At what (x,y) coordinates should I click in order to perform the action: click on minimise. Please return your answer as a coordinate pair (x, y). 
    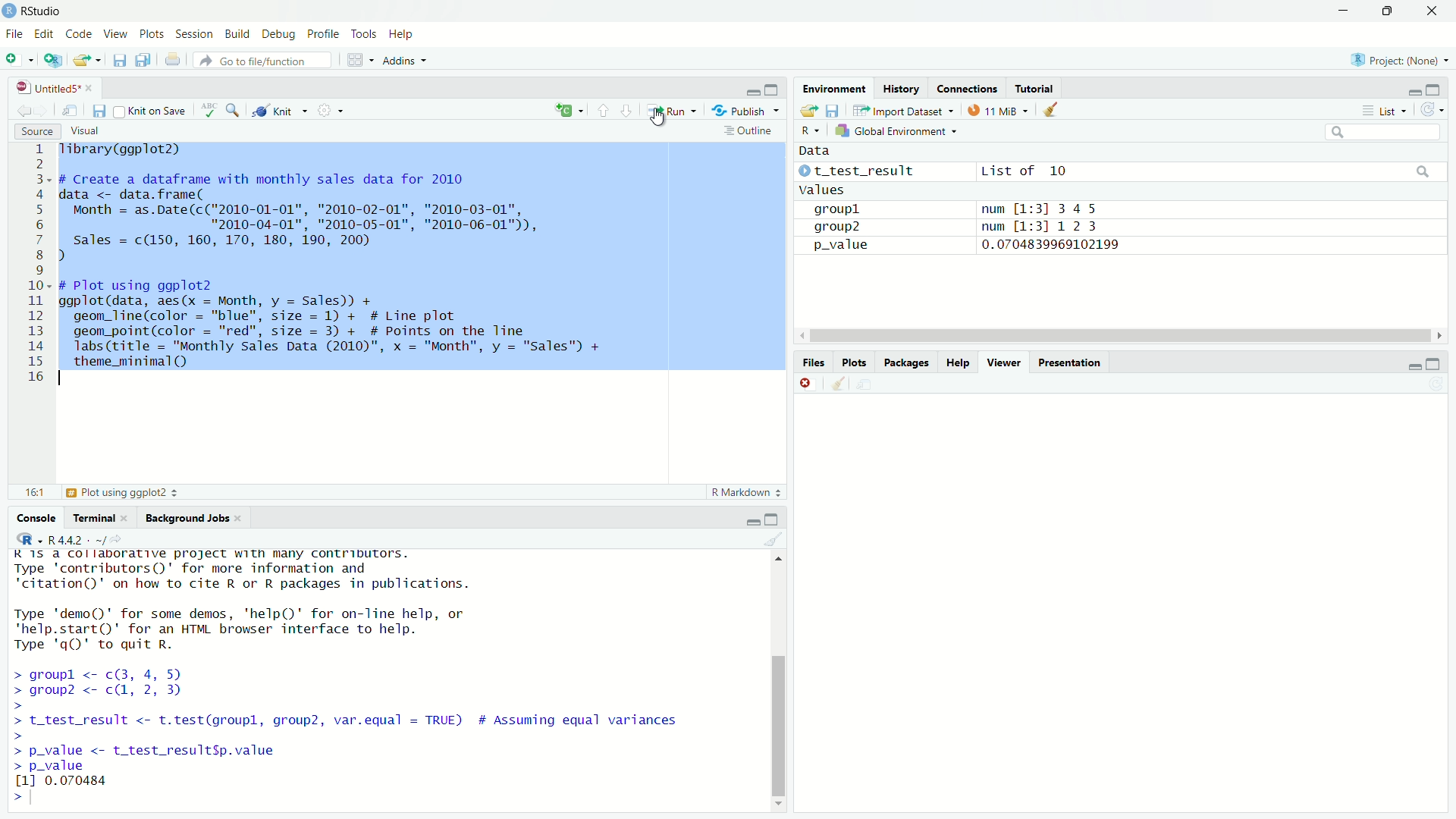
    Looking at the image, I should click on (749, 89).